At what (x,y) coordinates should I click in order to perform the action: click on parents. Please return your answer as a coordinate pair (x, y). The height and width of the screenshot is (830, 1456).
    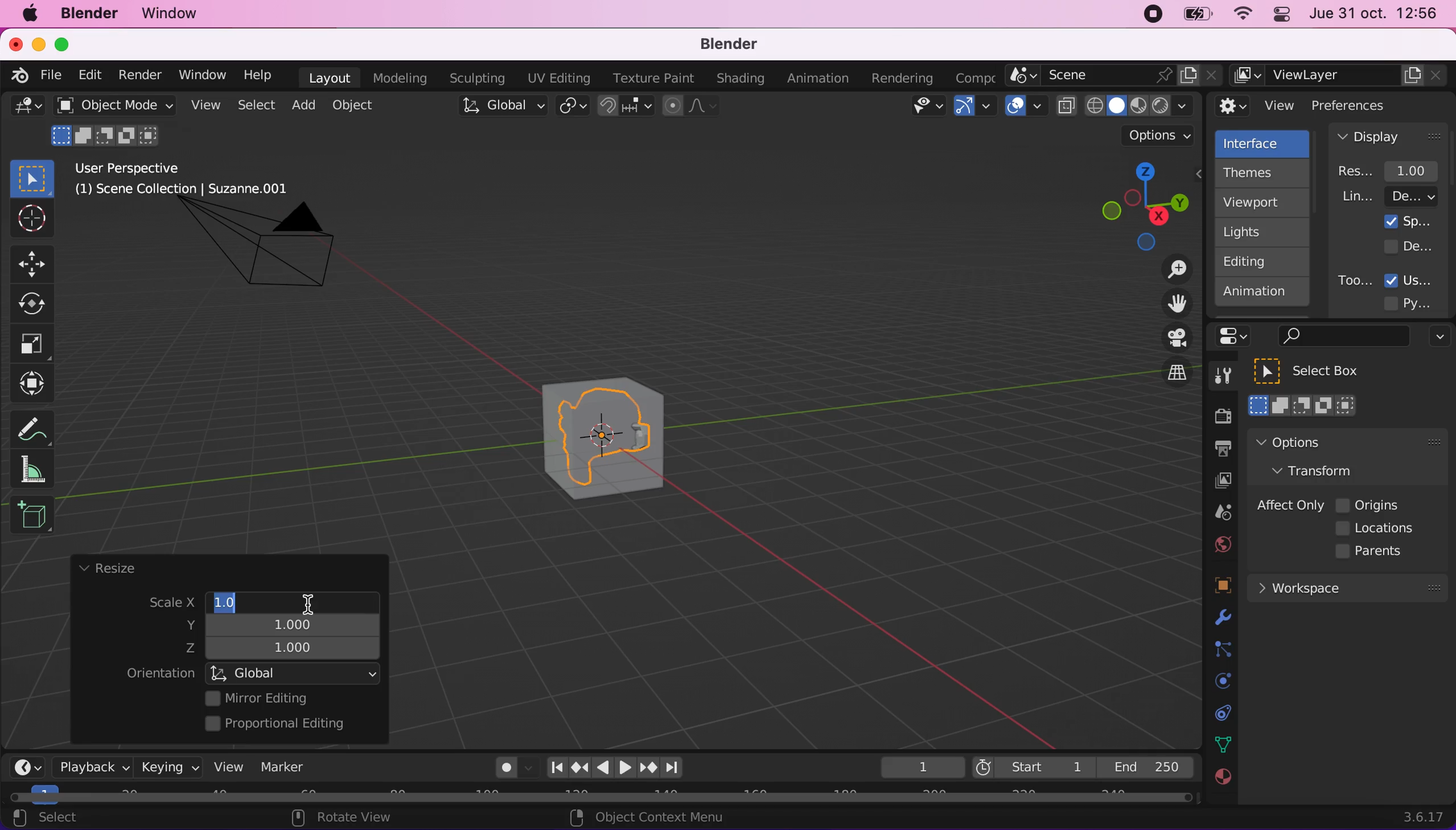
    Looking at the image, I should click on (1375, 552).